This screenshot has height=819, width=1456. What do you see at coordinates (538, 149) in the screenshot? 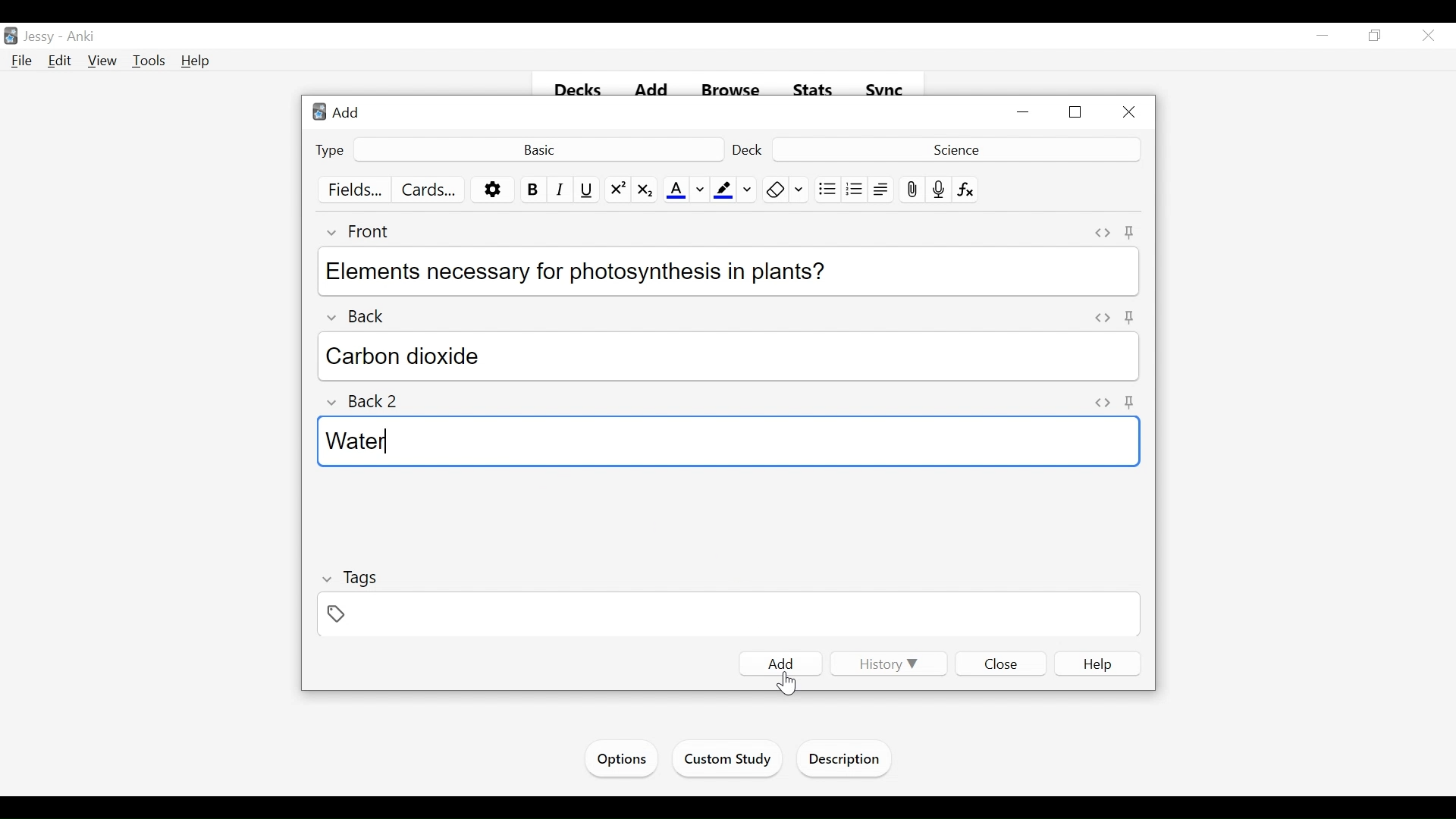
I see `Basic` at bounding box center [538, 149].